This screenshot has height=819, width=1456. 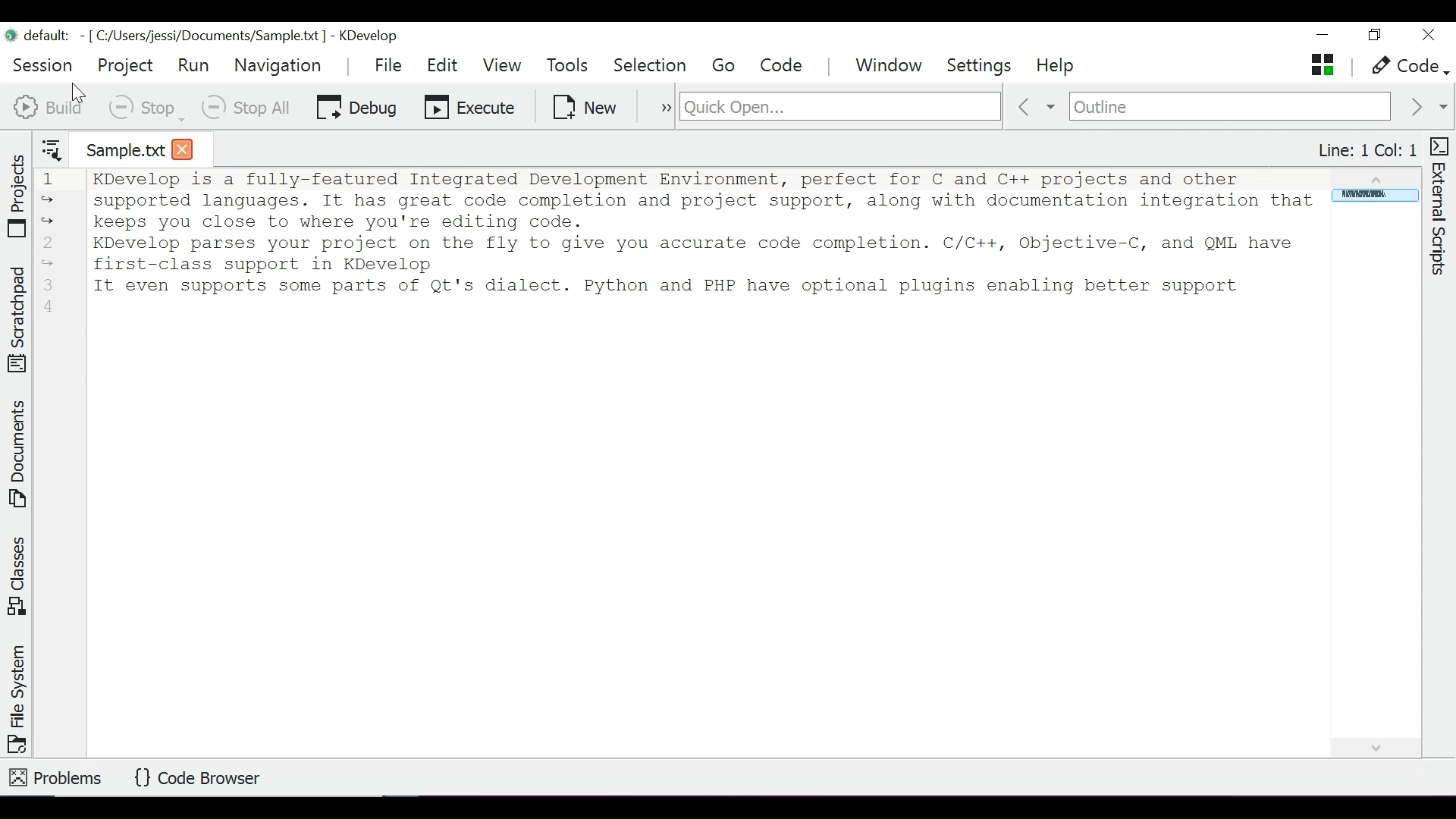 I want to click on Help, so click(x=1063, y=67).